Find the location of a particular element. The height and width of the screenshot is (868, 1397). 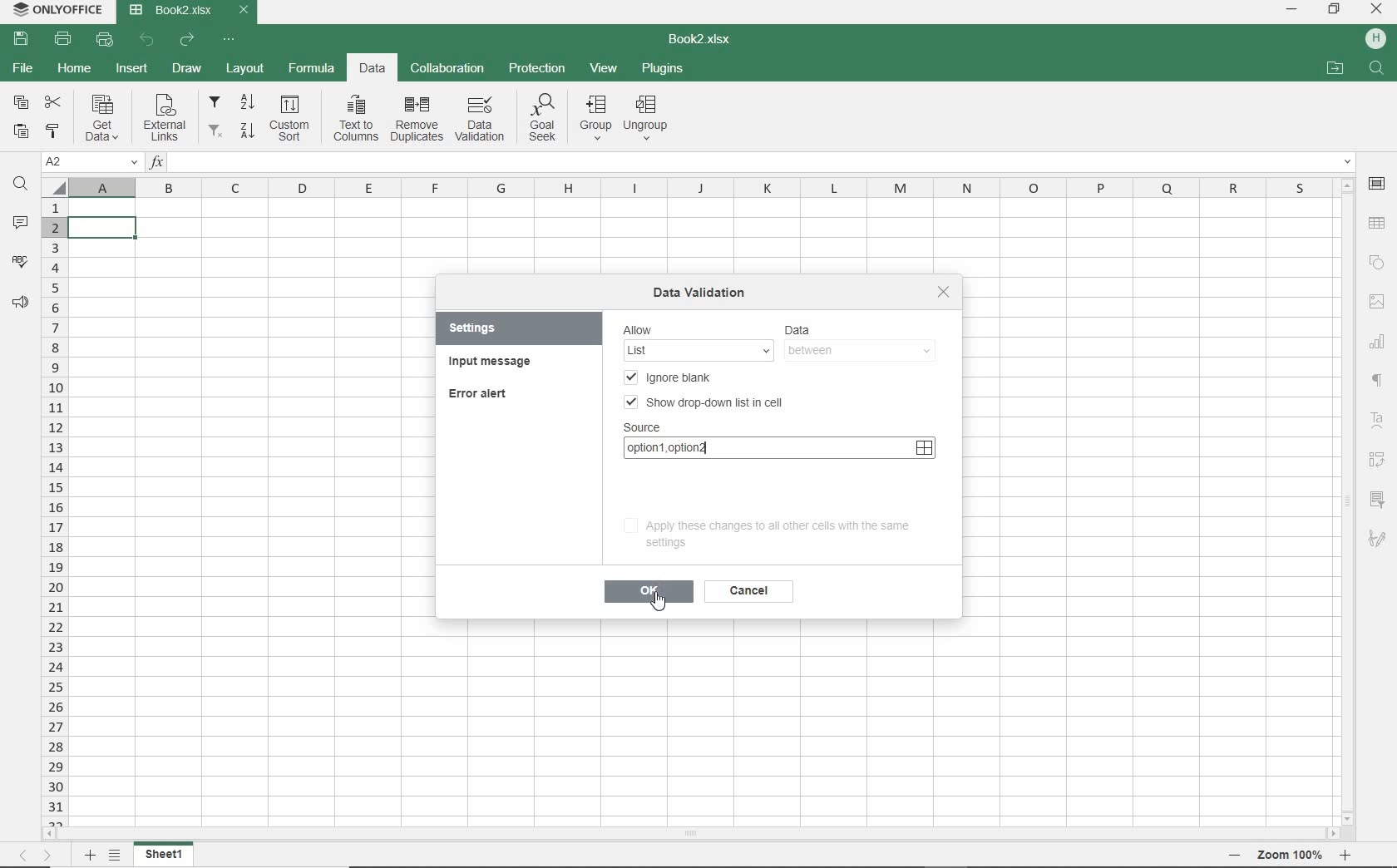

DOCUMENT Name is located at coordinates (170, 11).